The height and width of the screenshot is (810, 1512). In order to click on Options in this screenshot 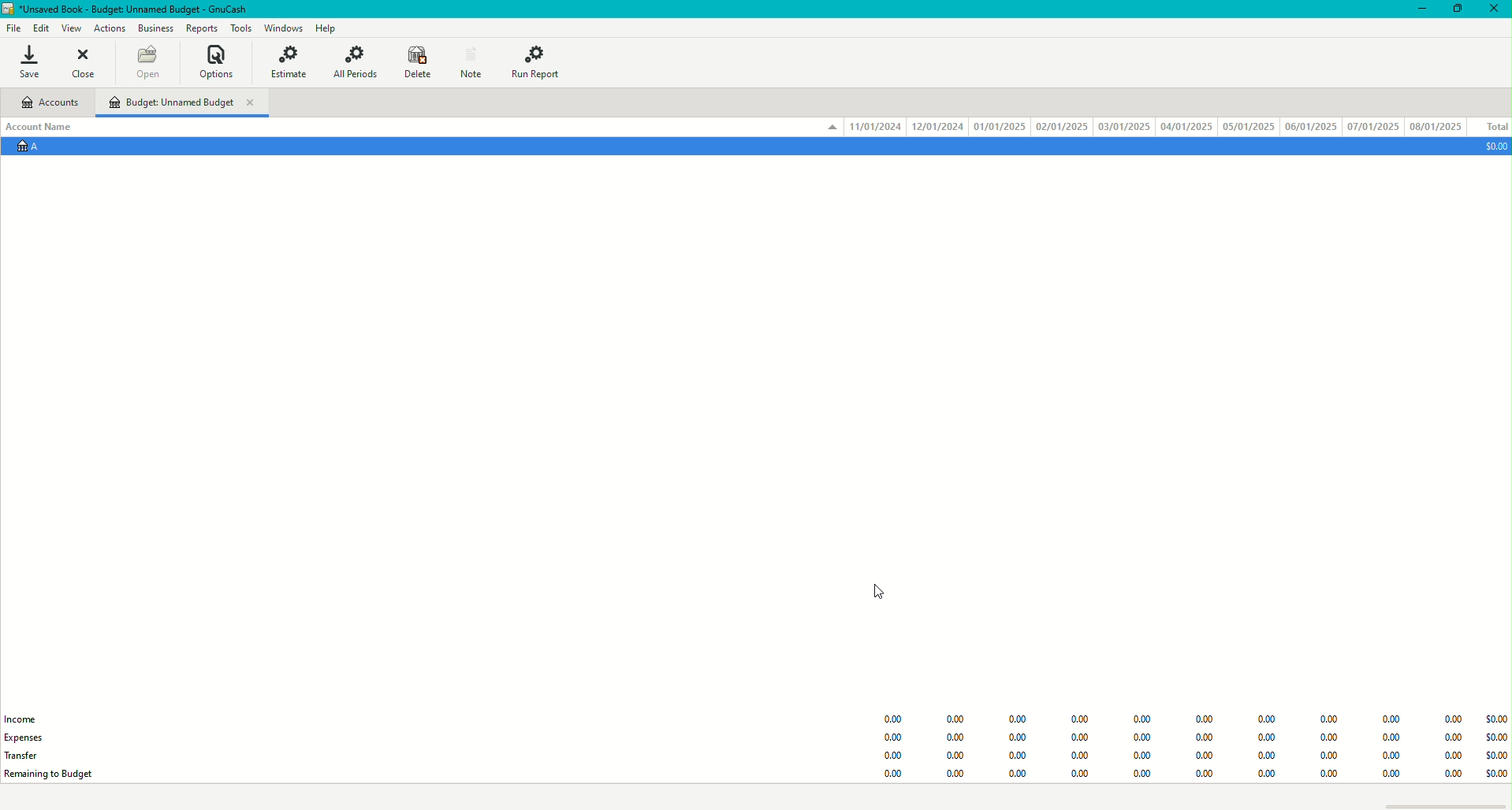, I will do `click(218, 63)`.